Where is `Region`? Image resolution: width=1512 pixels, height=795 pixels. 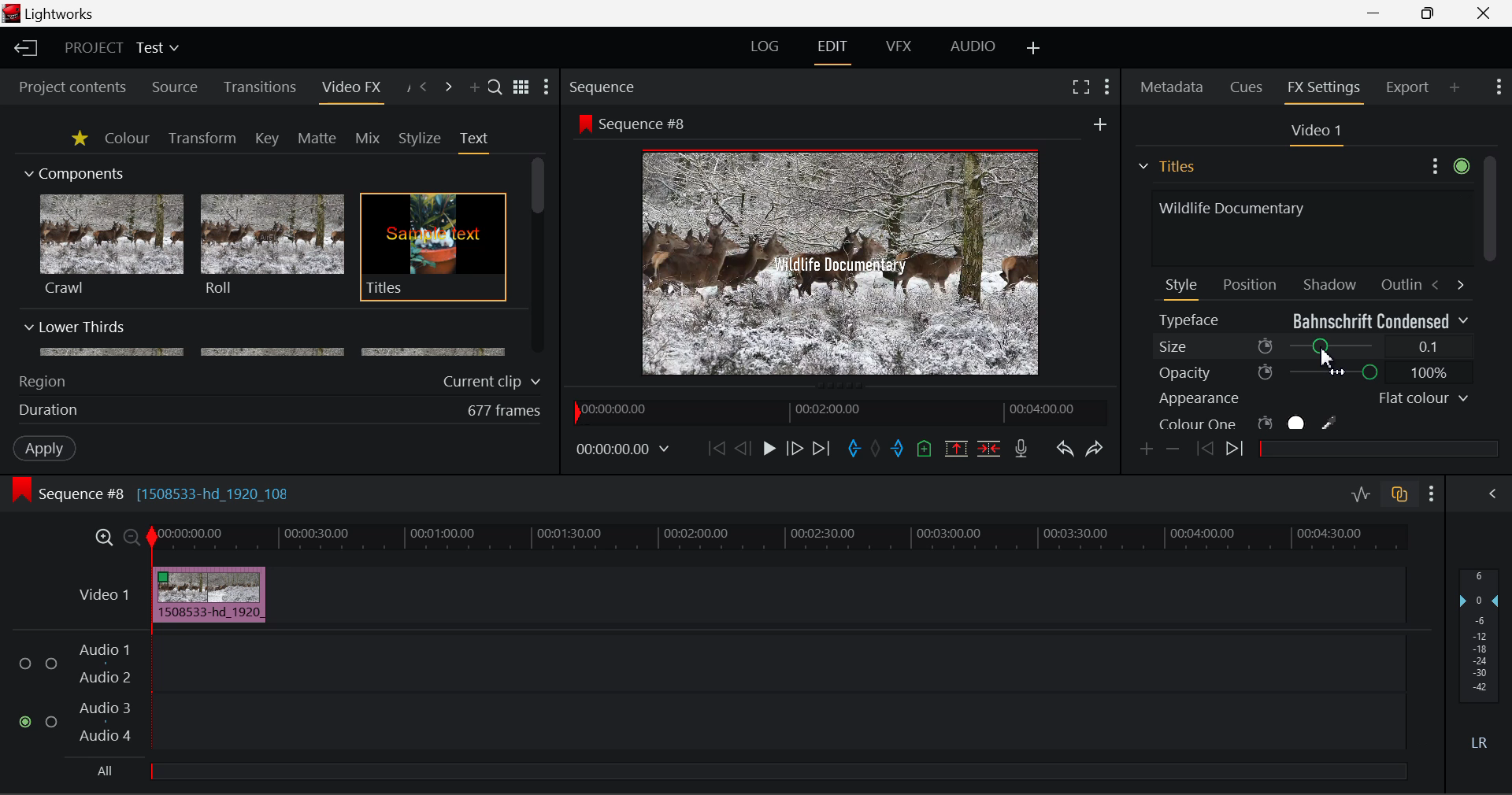
Region is located at coordinates (42, 382).